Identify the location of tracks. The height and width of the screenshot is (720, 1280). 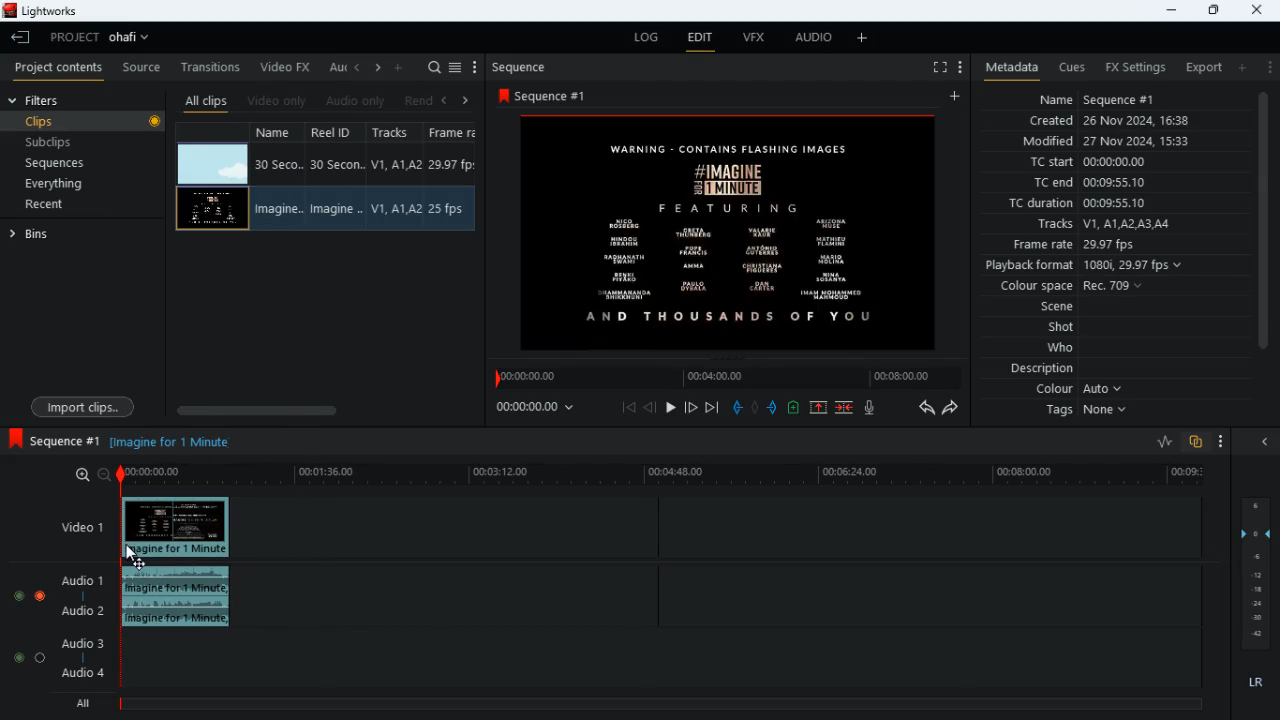
(1107, 224).